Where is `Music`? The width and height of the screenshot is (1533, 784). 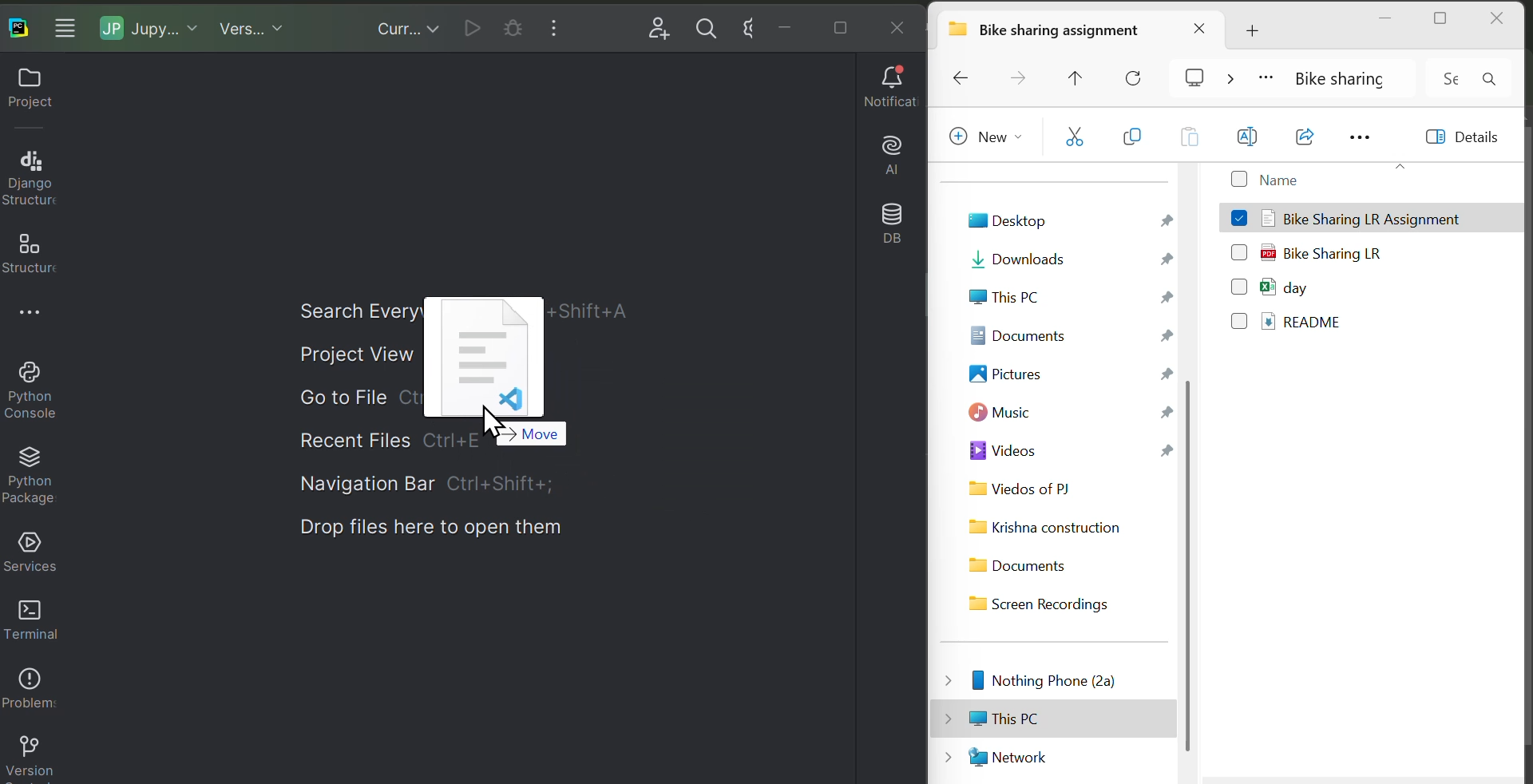 Music is located at coordinates (1069, 412).